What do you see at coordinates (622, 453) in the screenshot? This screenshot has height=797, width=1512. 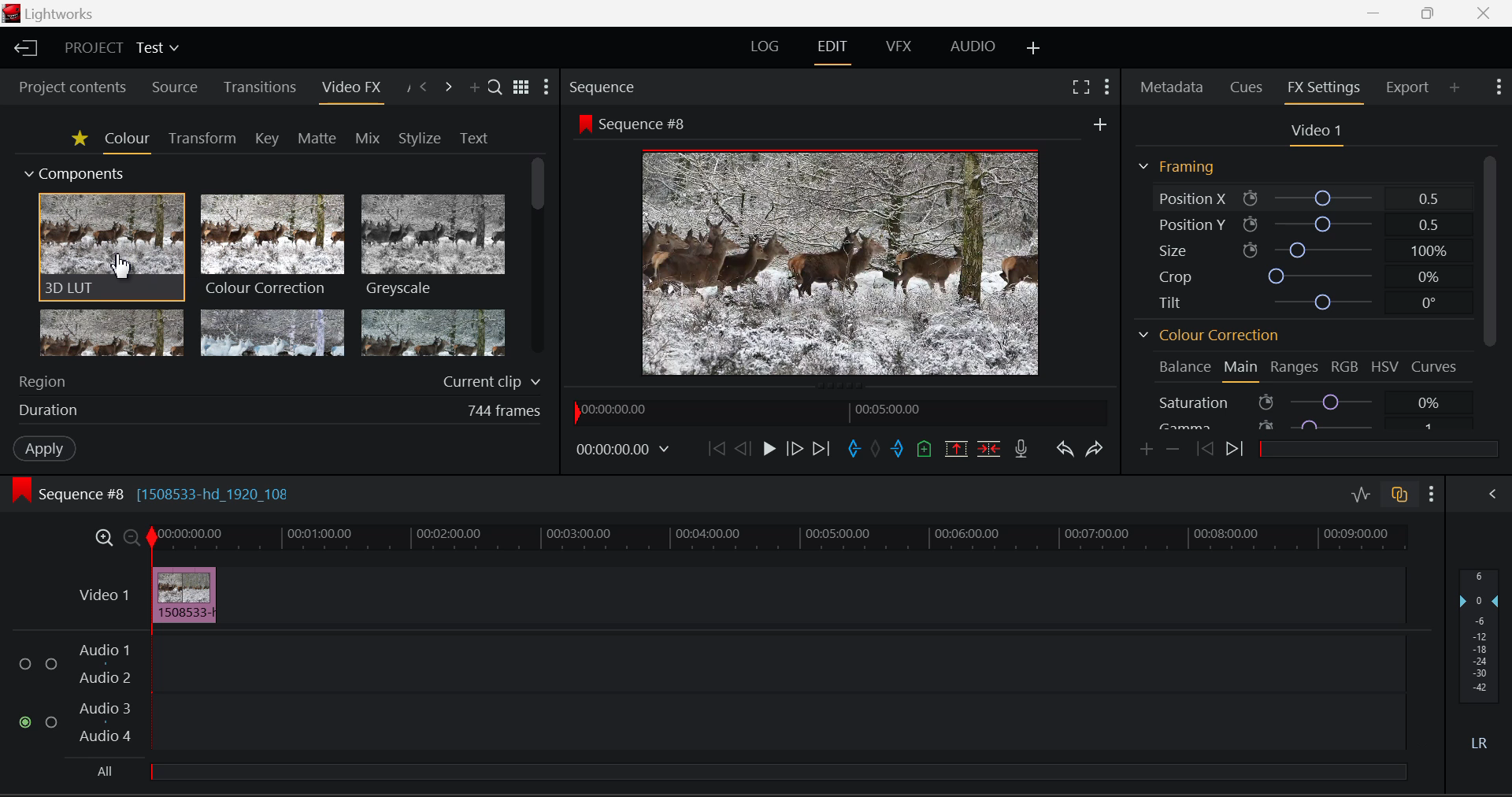 I see `Frame Time ` at bounding box center [622, 453].